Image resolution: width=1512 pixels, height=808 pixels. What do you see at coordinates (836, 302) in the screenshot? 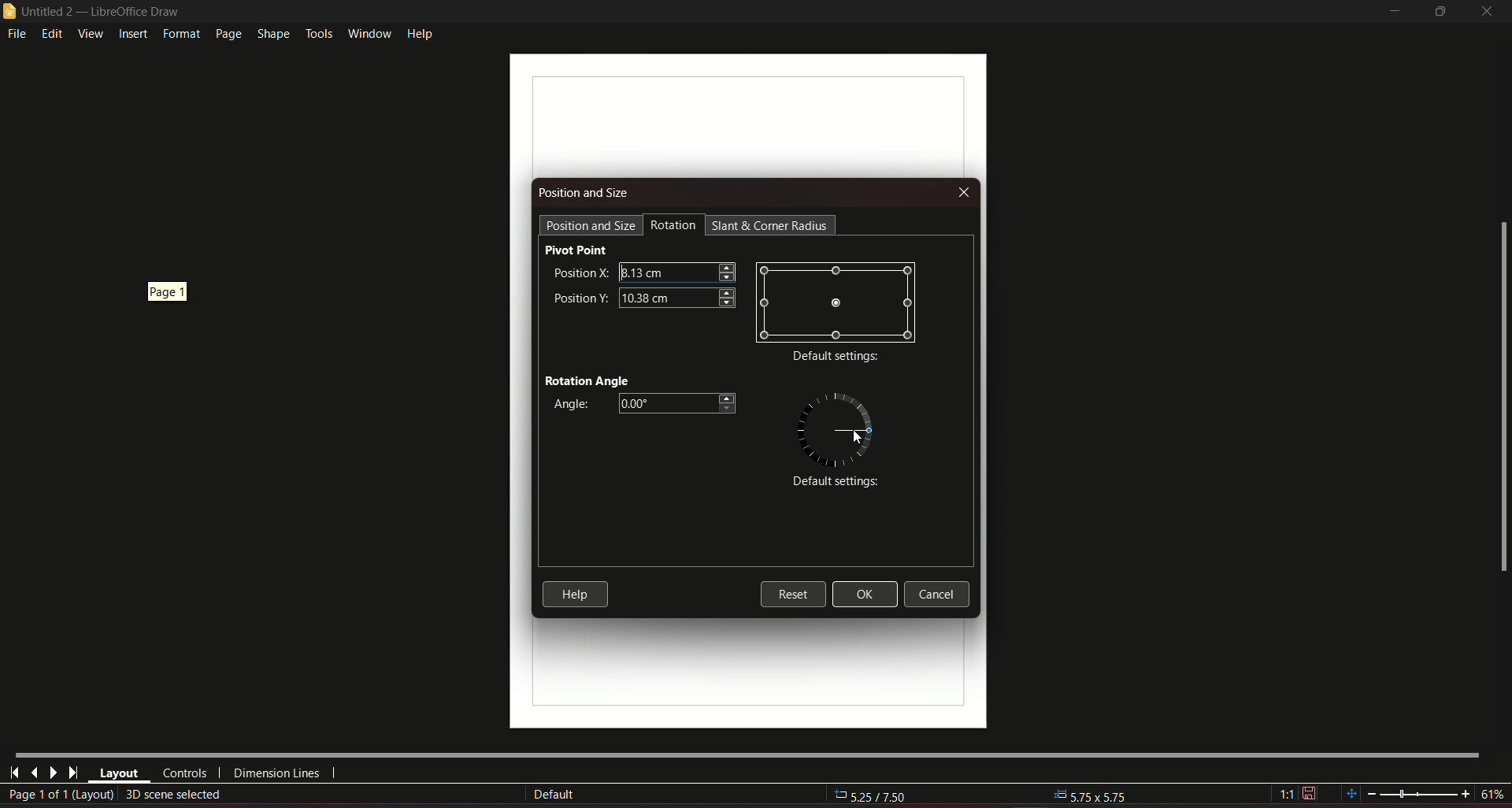
I see `graphic` at bounding box center [836, 302].